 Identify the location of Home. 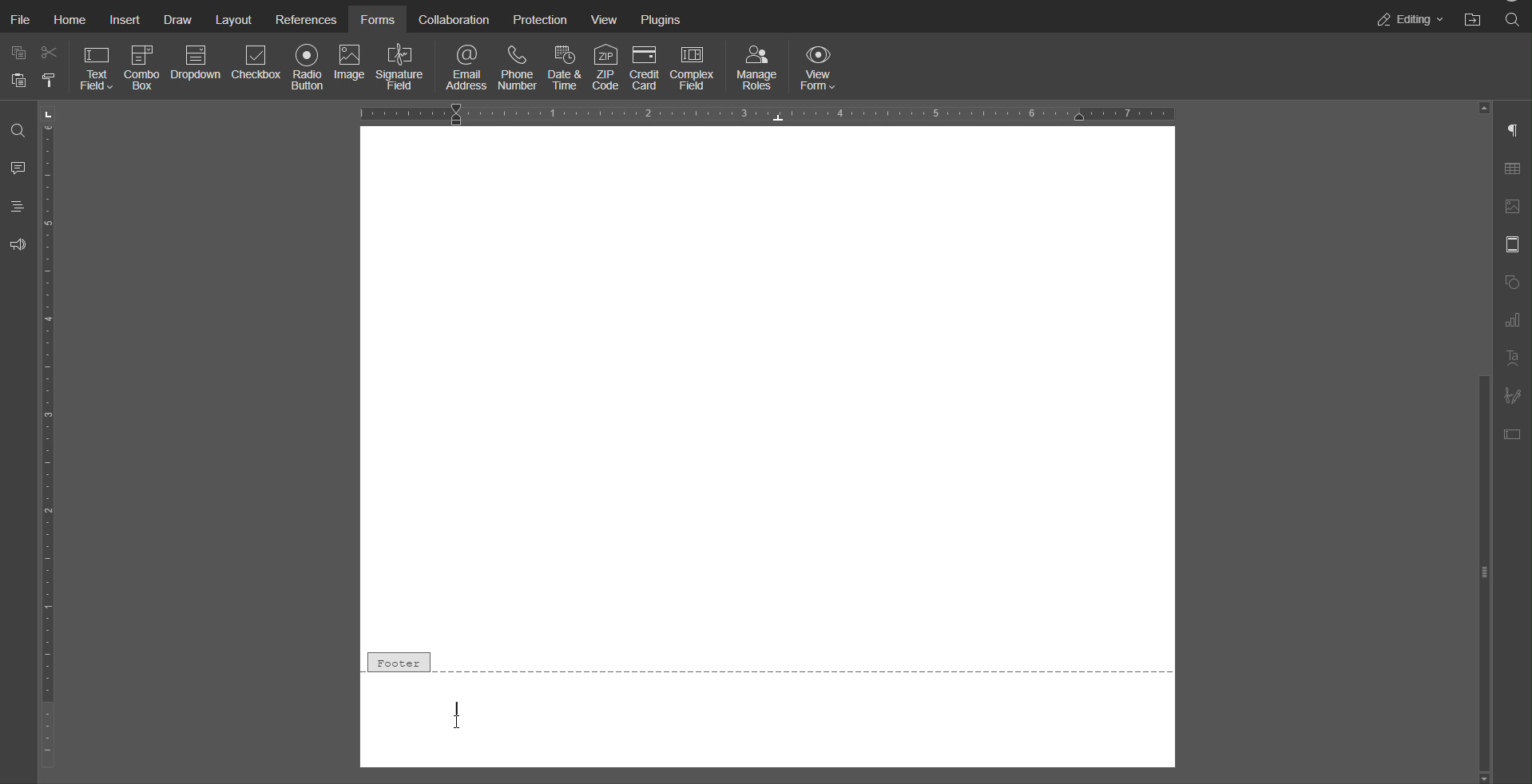
(71, 20).